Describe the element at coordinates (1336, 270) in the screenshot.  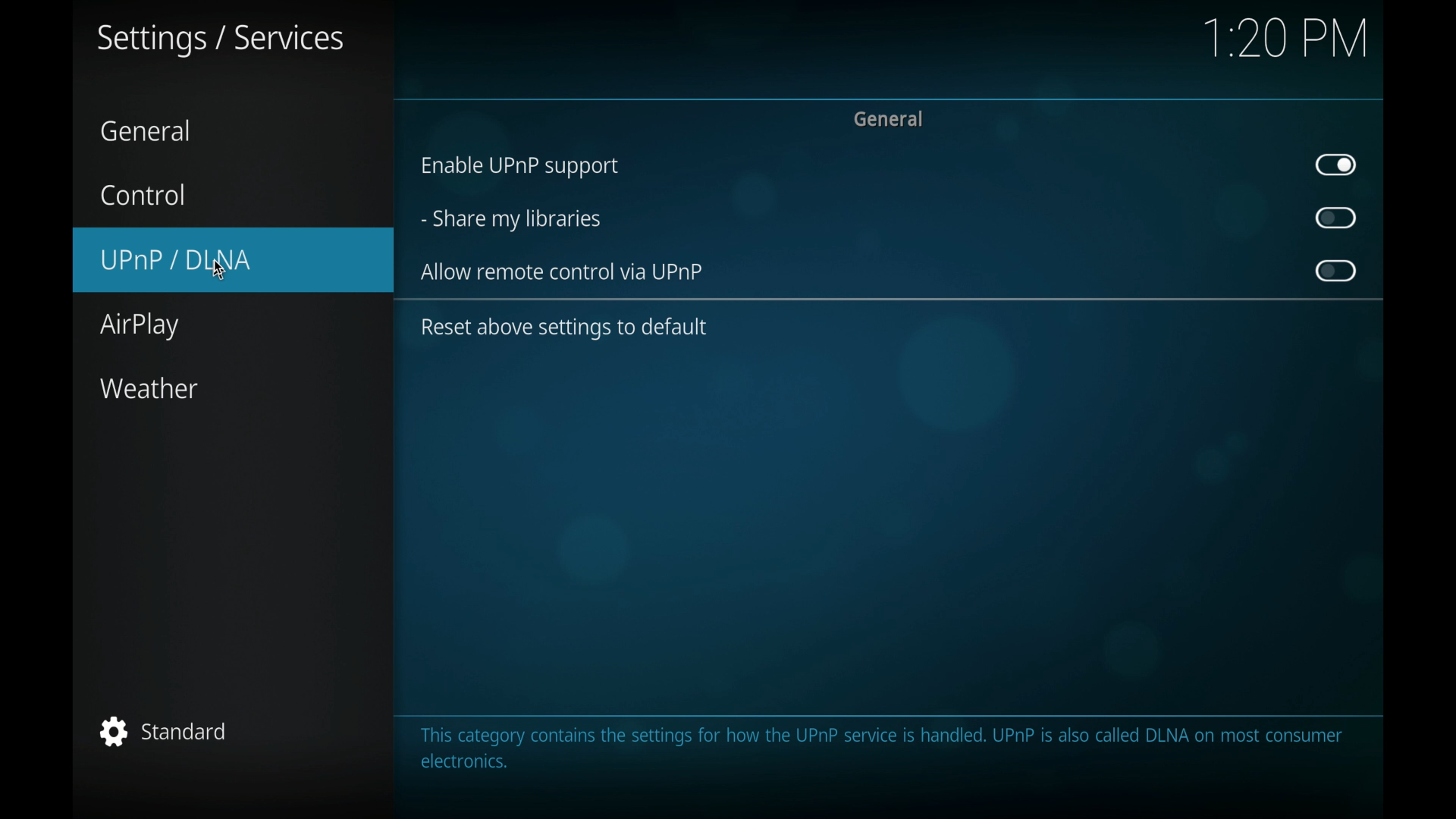
I see `toggle button` at that location.